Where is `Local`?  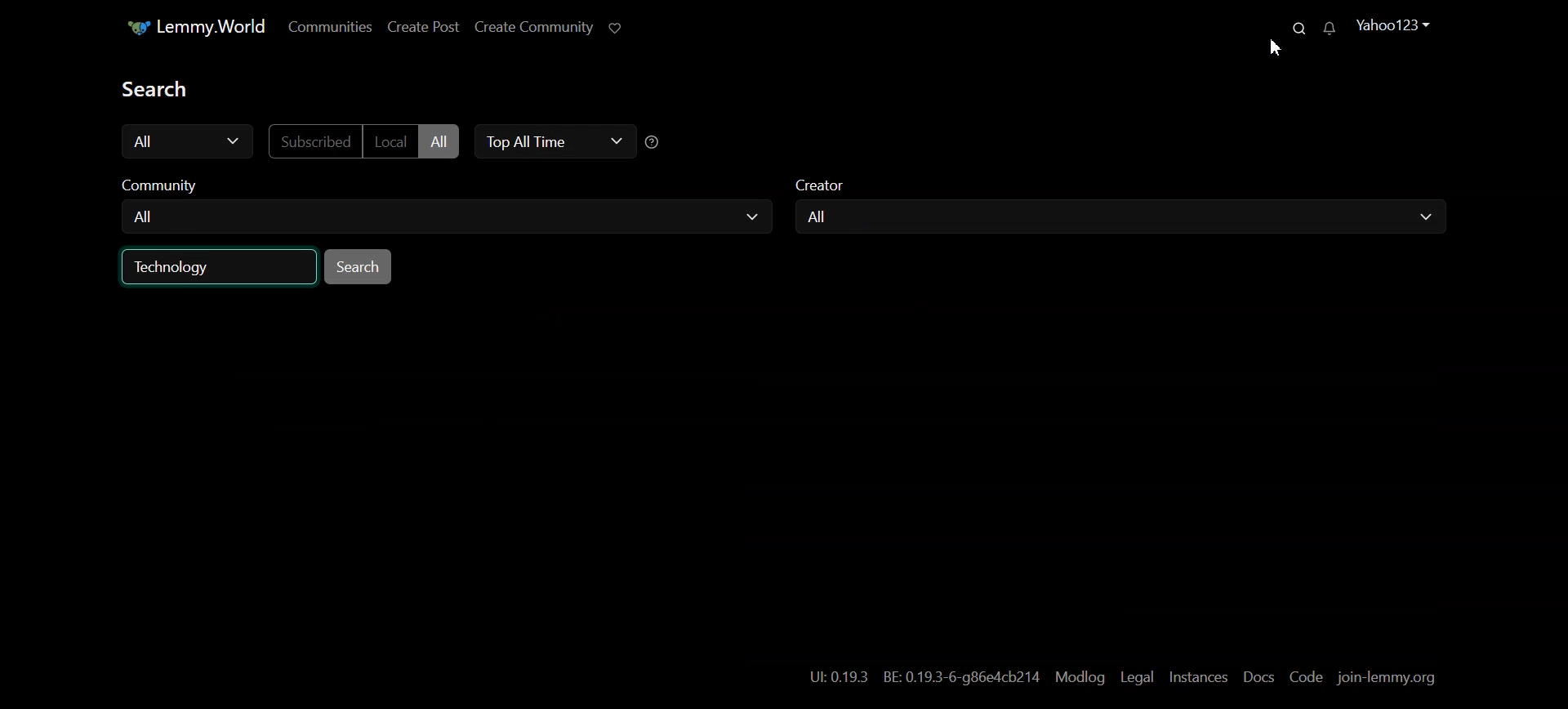
Local is located at coordinates (390, 141).